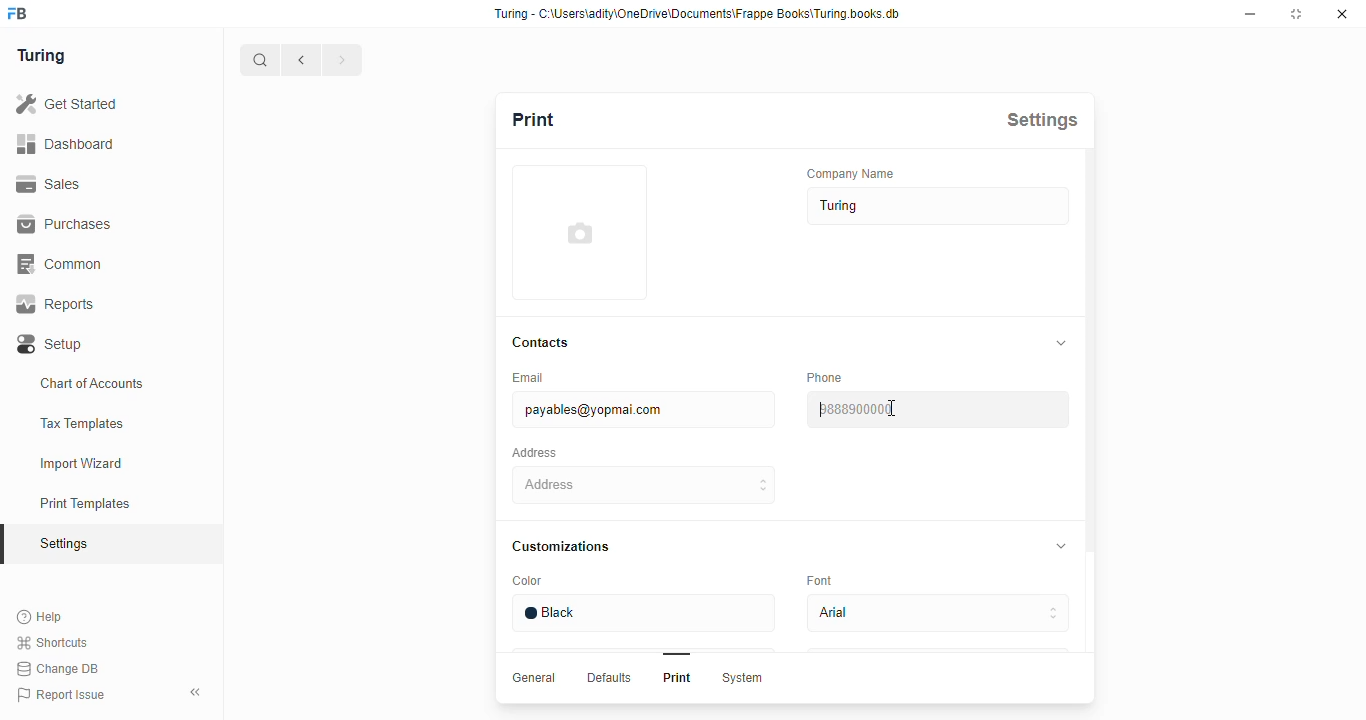 The height and width of the screenshot is (720, 1366). I want to click on 9888900000, so click(941, 408).